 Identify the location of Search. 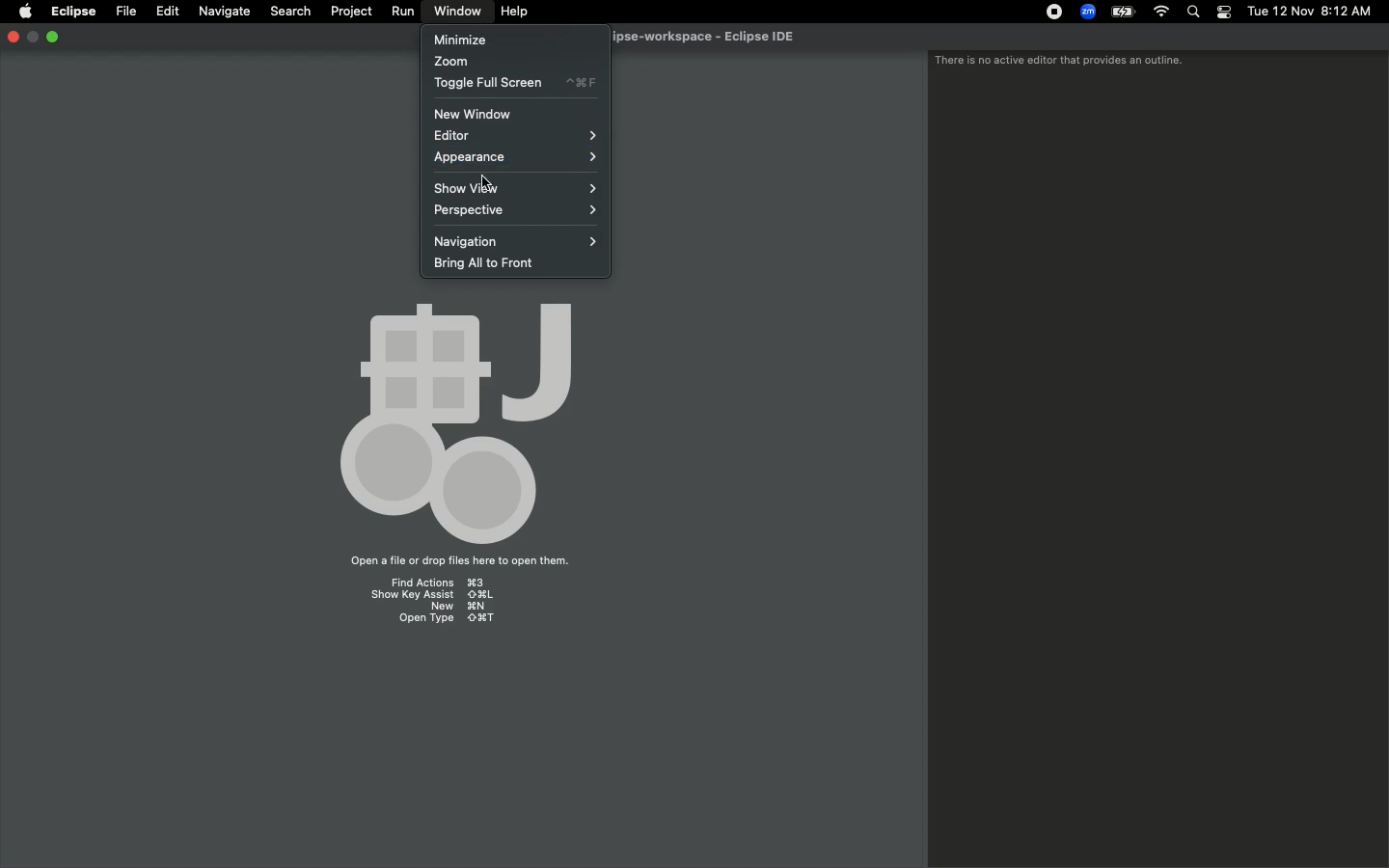
(1195, 13).